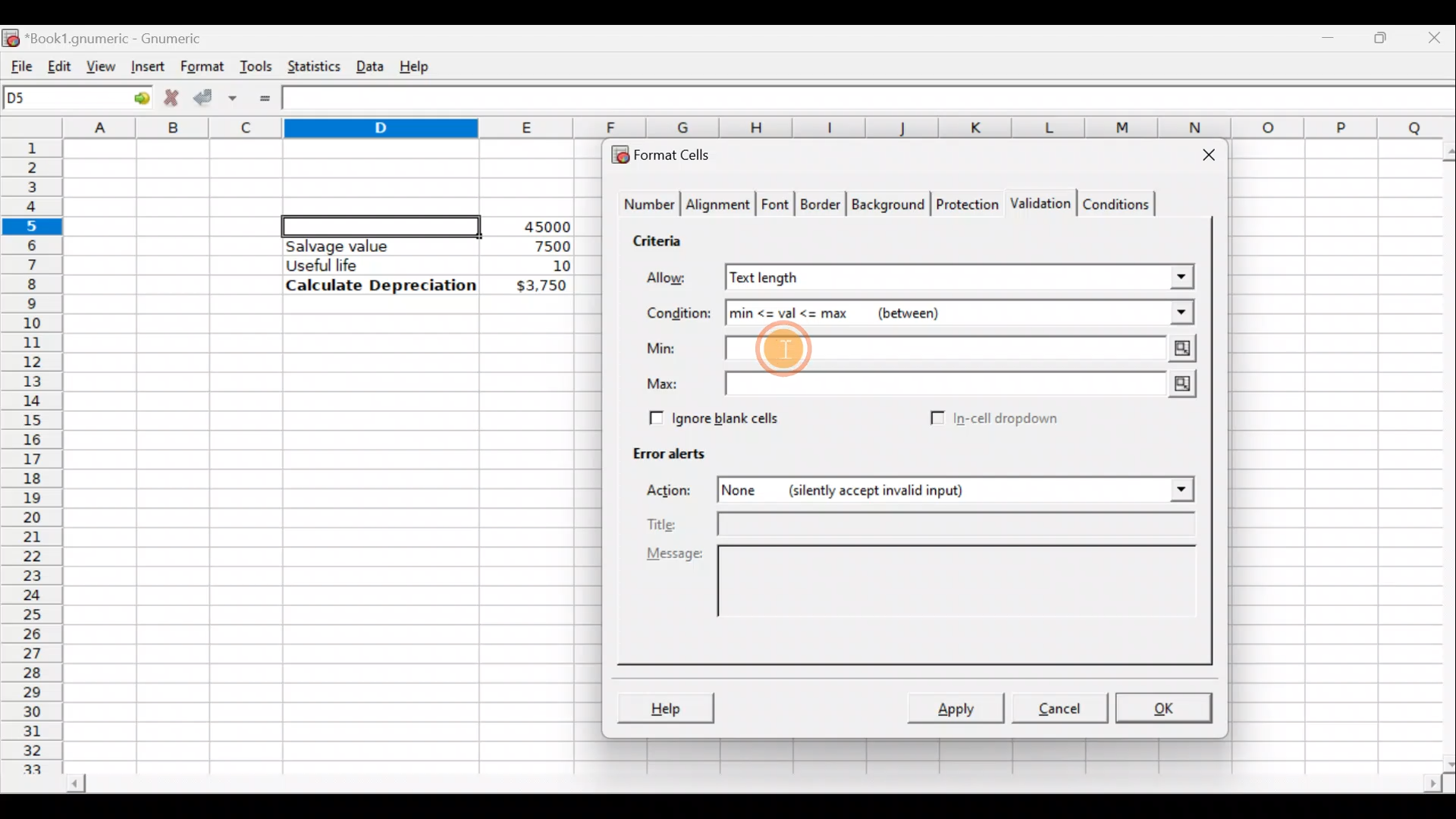 This screenshot has width=1456, height=819. I want to click on File, so click(17, 63).